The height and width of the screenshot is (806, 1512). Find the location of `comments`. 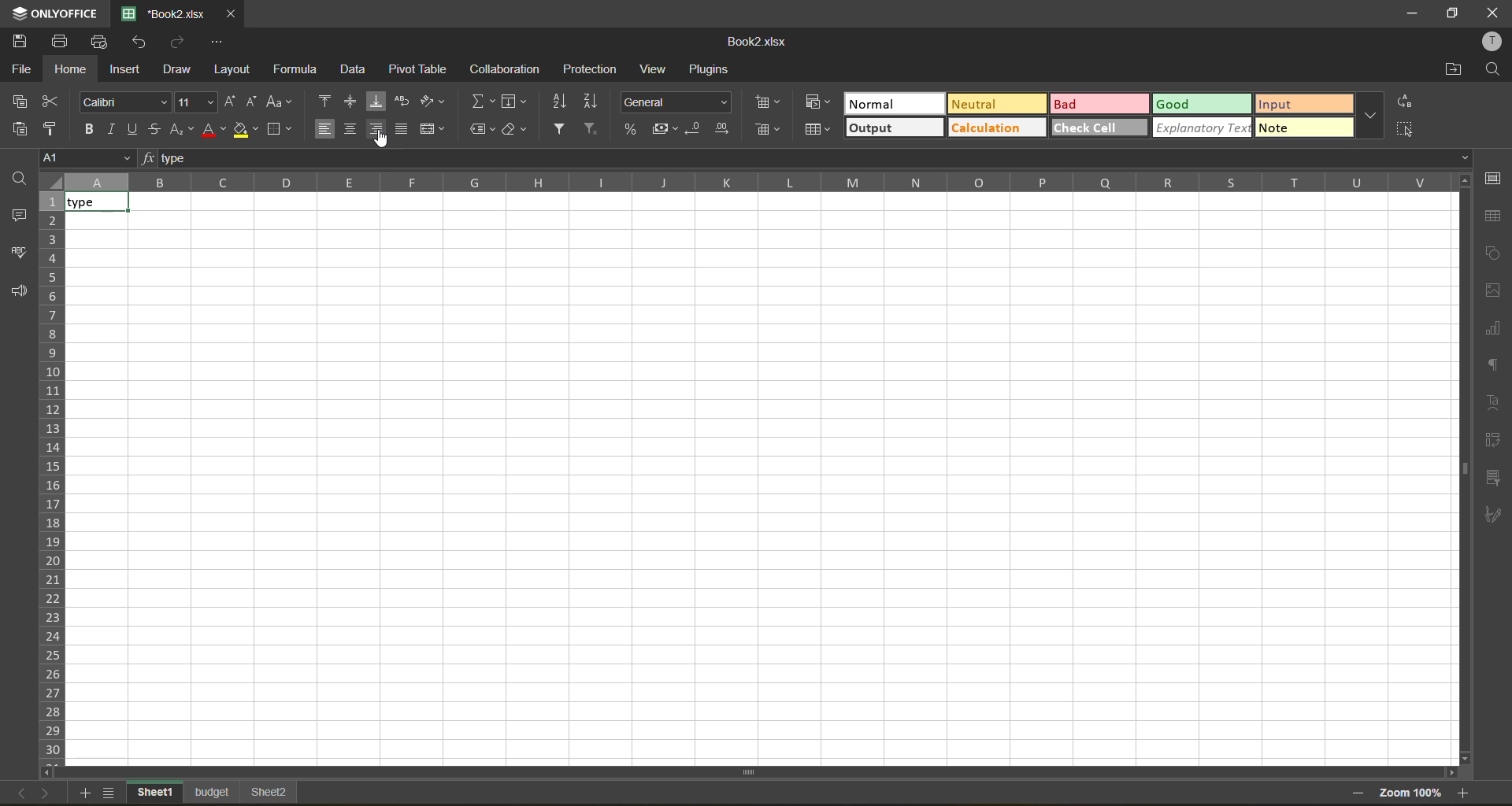

comments is located at coordinates (19, 216).